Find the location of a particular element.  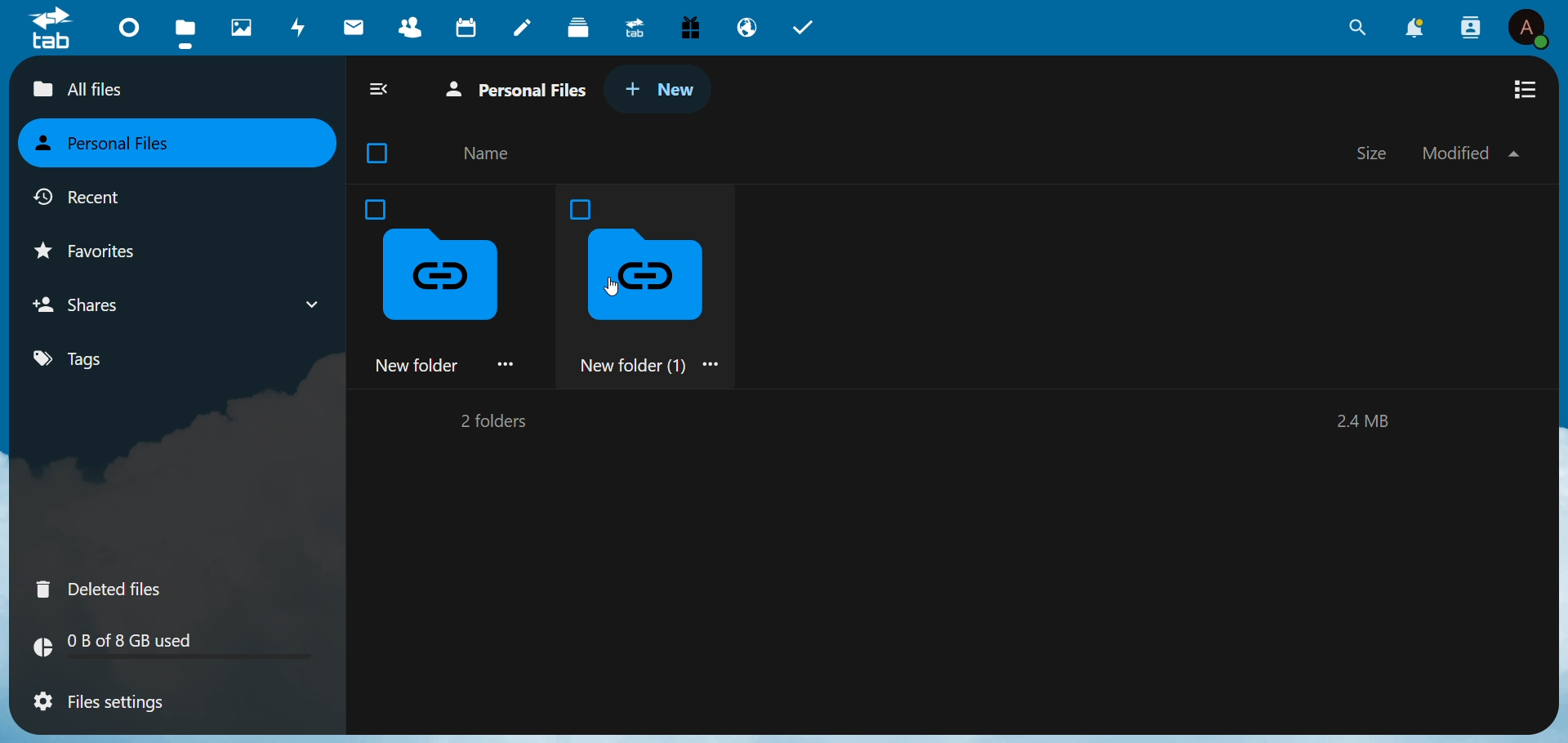

select is located at coordinates (381, 153).